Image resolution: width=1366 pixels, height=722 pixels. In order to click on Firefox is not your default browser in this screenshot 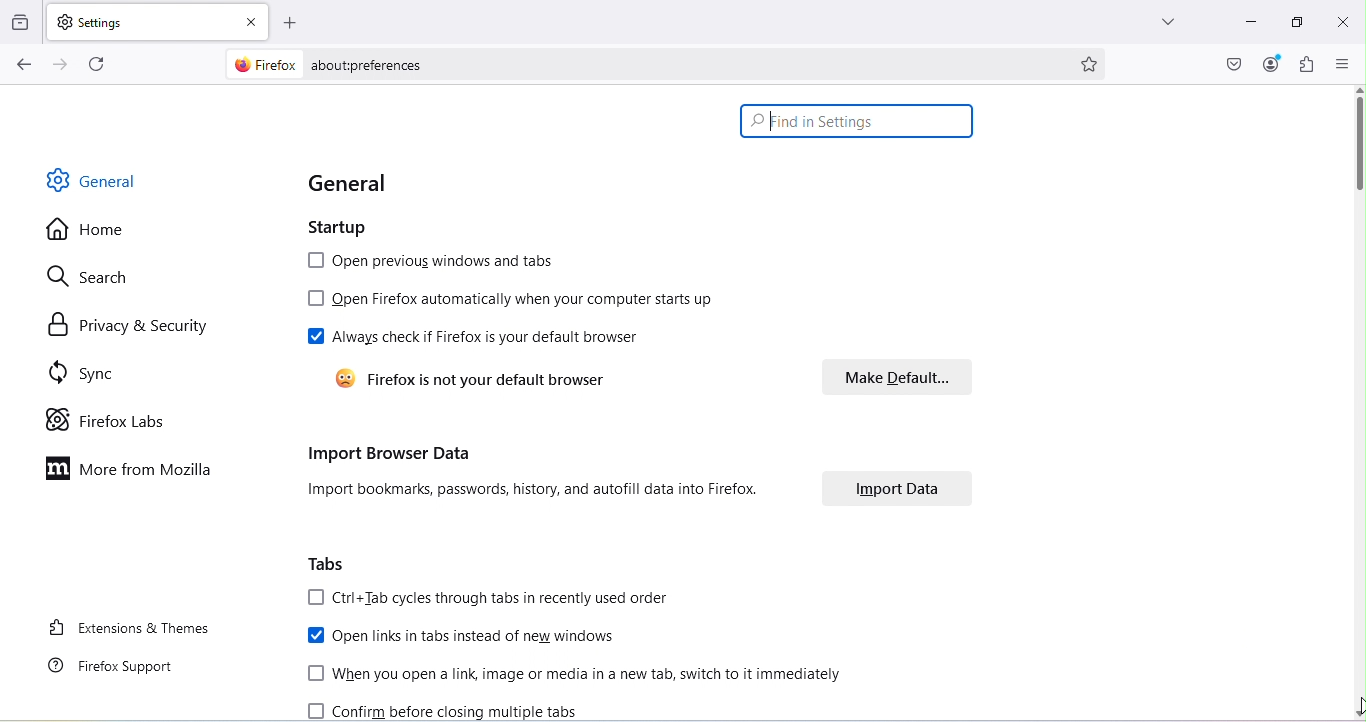, I will do `click(514, 385)`.